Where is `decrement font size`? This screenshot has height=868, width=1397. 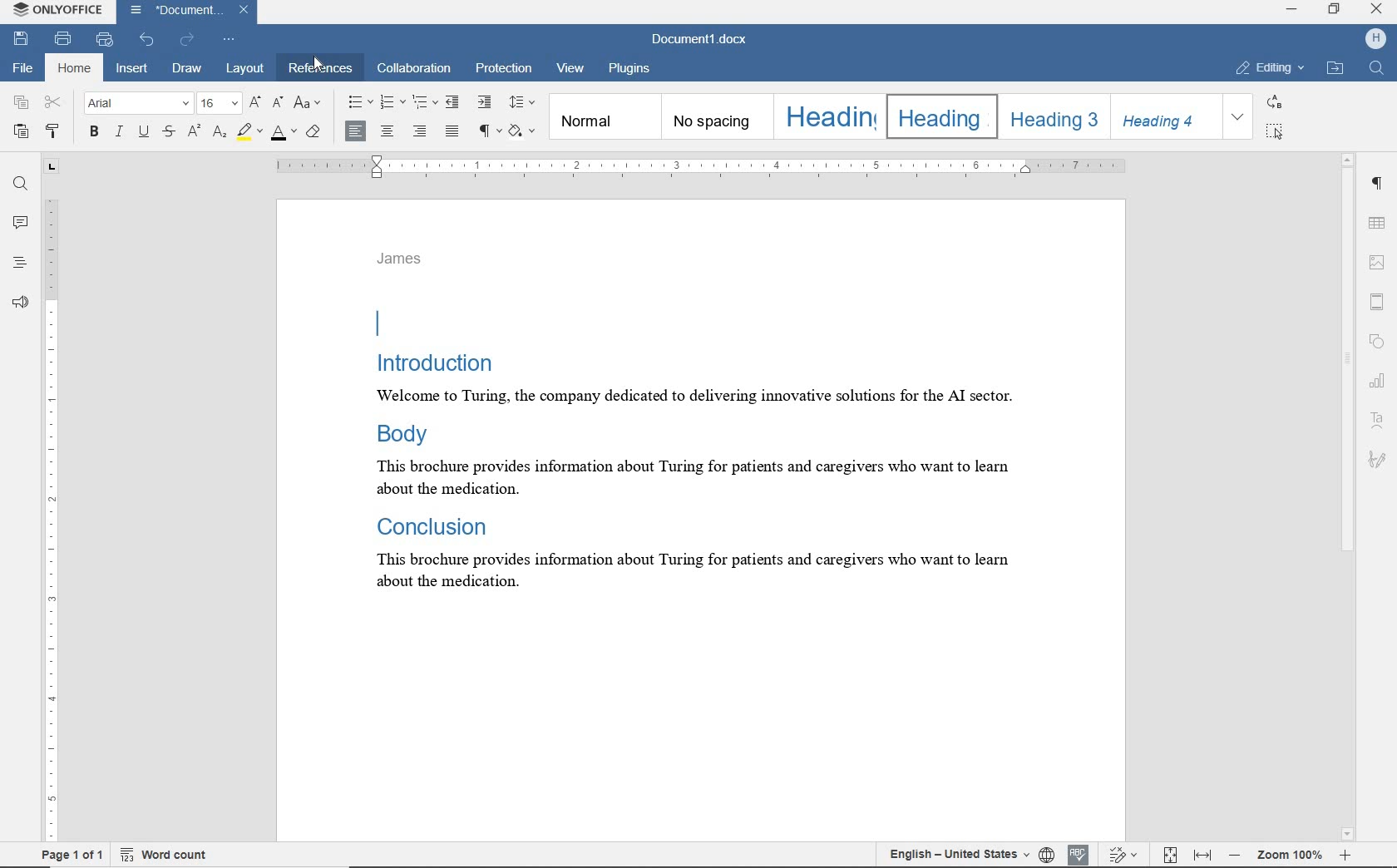 decrement font size is located at coordinates (278, 104).